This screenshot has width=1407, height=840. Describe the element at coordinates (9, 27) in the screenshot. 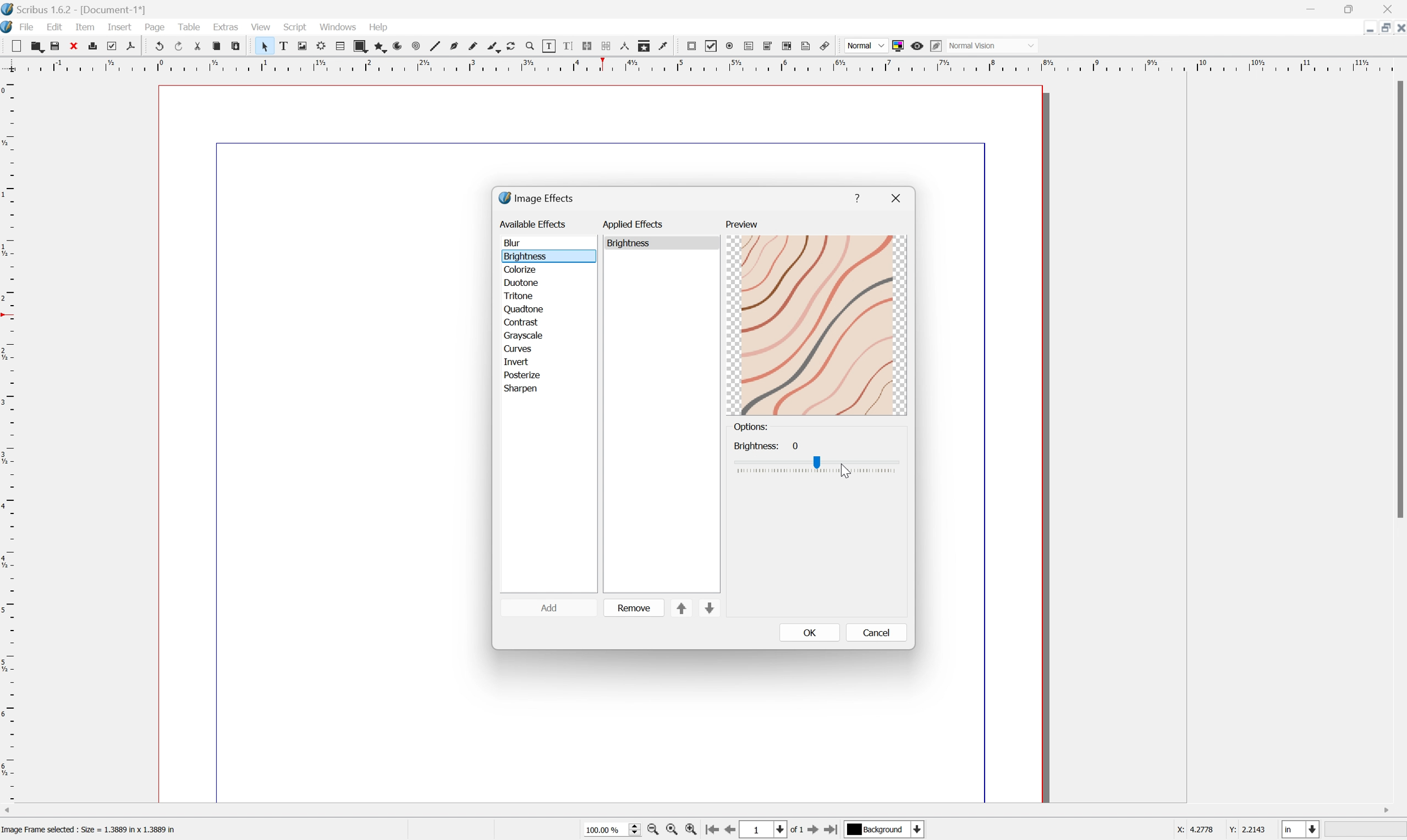

I see `Scribus` at that location.